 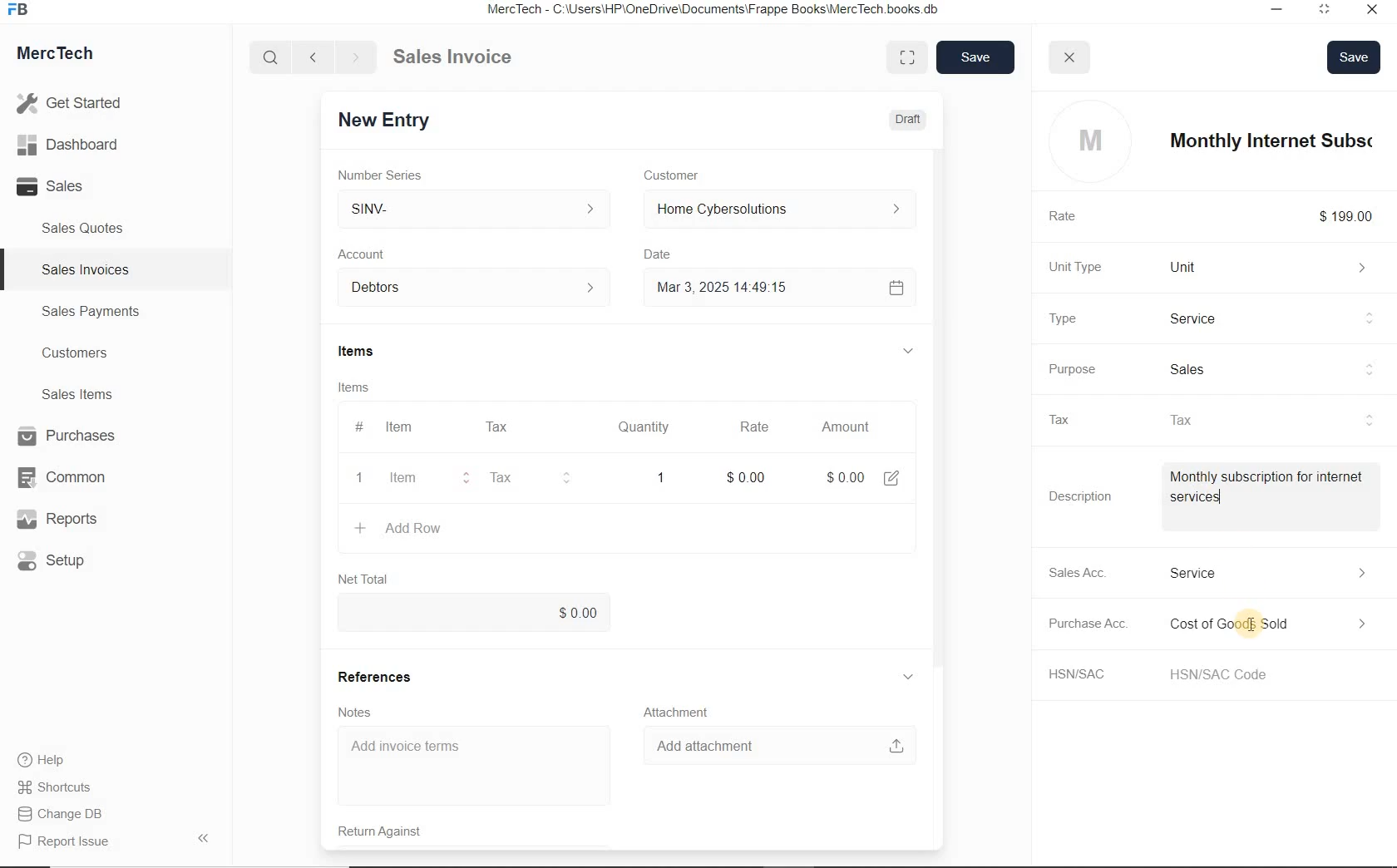 What do you see at coordinates (370, 353) in the screenshot?
I see `Items` at bounding box center [370, 353].